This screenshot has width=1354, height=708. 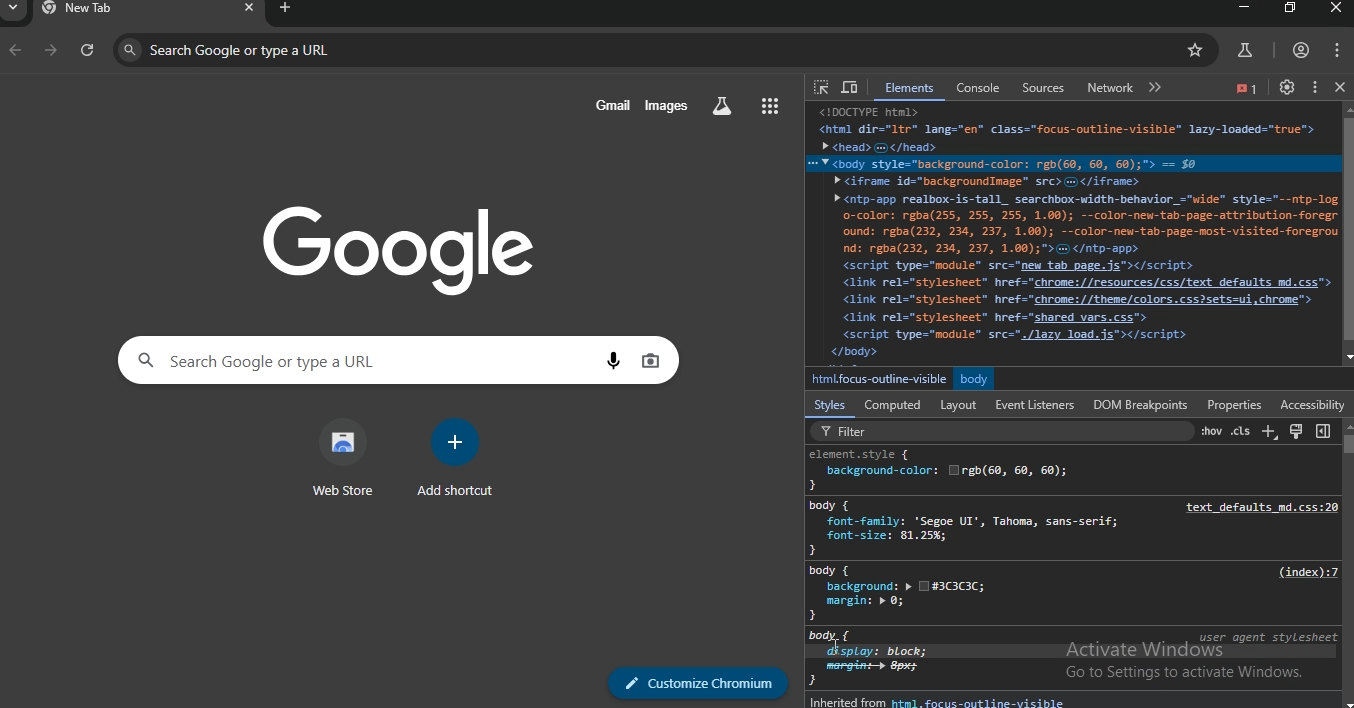 What do you see at coordinates (894, 405) in the screenshot?
I see `computed` at bounding box center [894, 405].